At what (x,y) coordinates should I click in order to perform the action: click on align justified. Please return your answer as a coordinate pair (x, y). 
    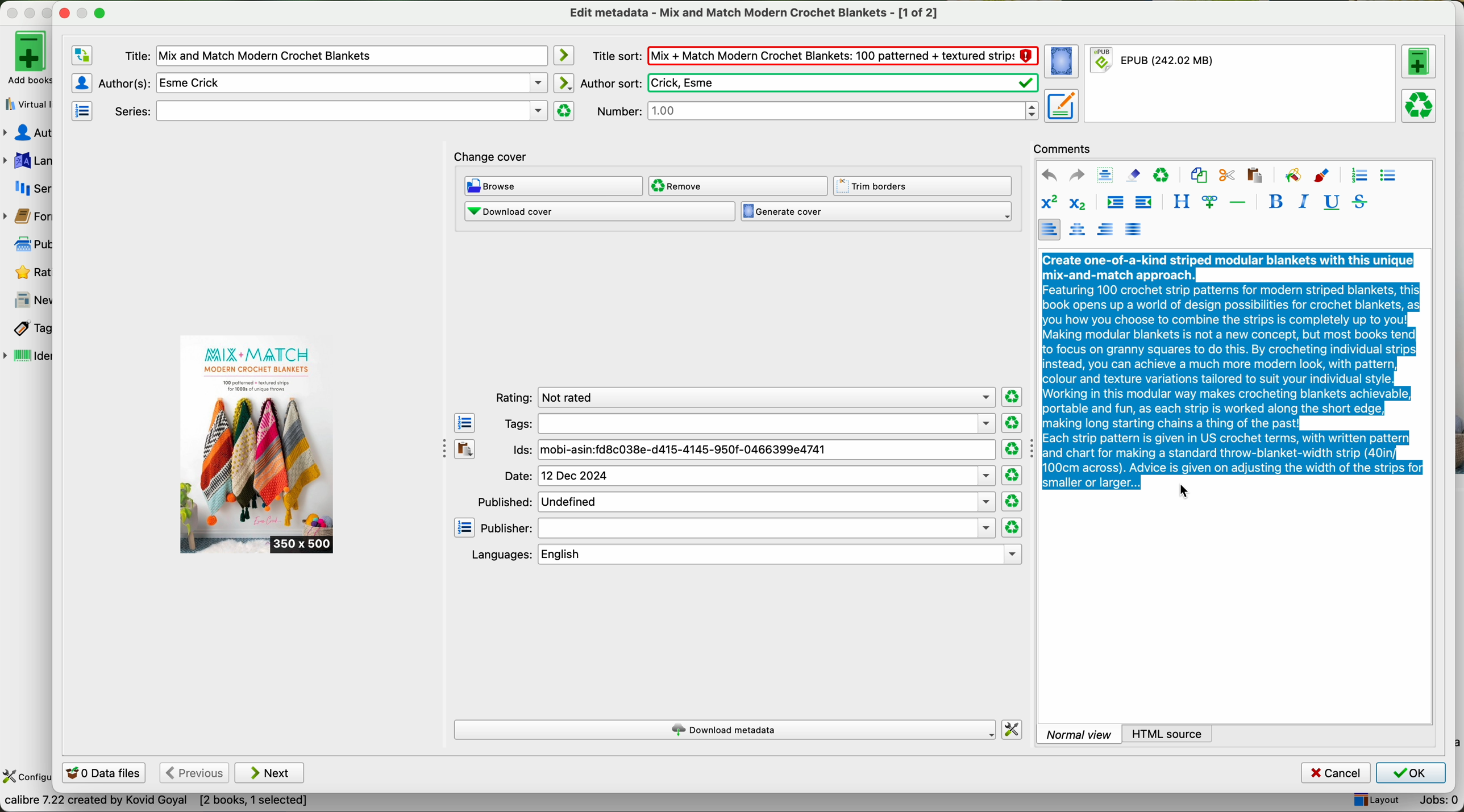
    Looking at the image, I should click on (1133, 228).